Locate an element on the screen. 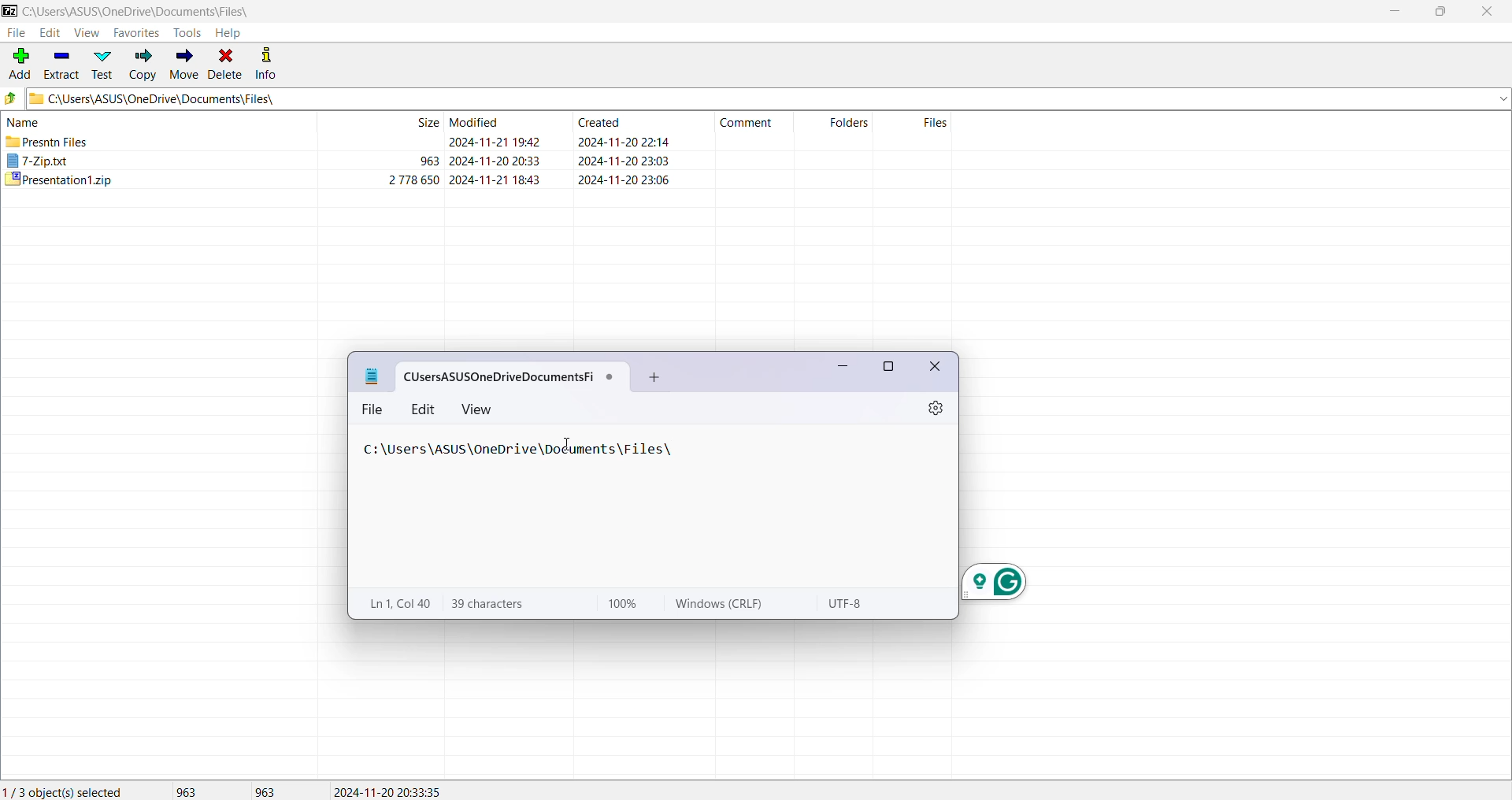 This screenshot has width=1512, height=800. modified date & time is located at coordinates (495, 142).